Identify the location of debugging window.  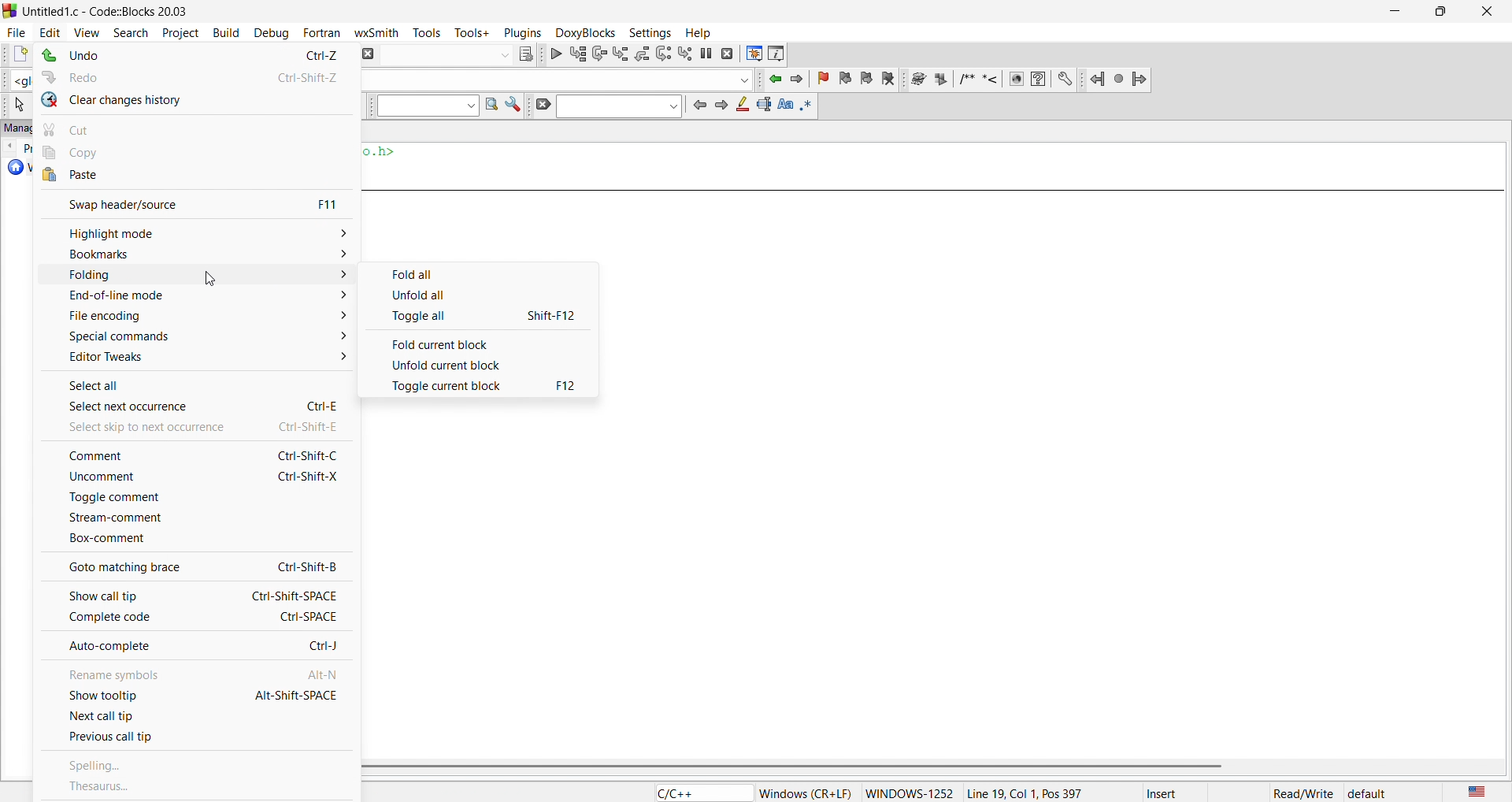
(753, 54).